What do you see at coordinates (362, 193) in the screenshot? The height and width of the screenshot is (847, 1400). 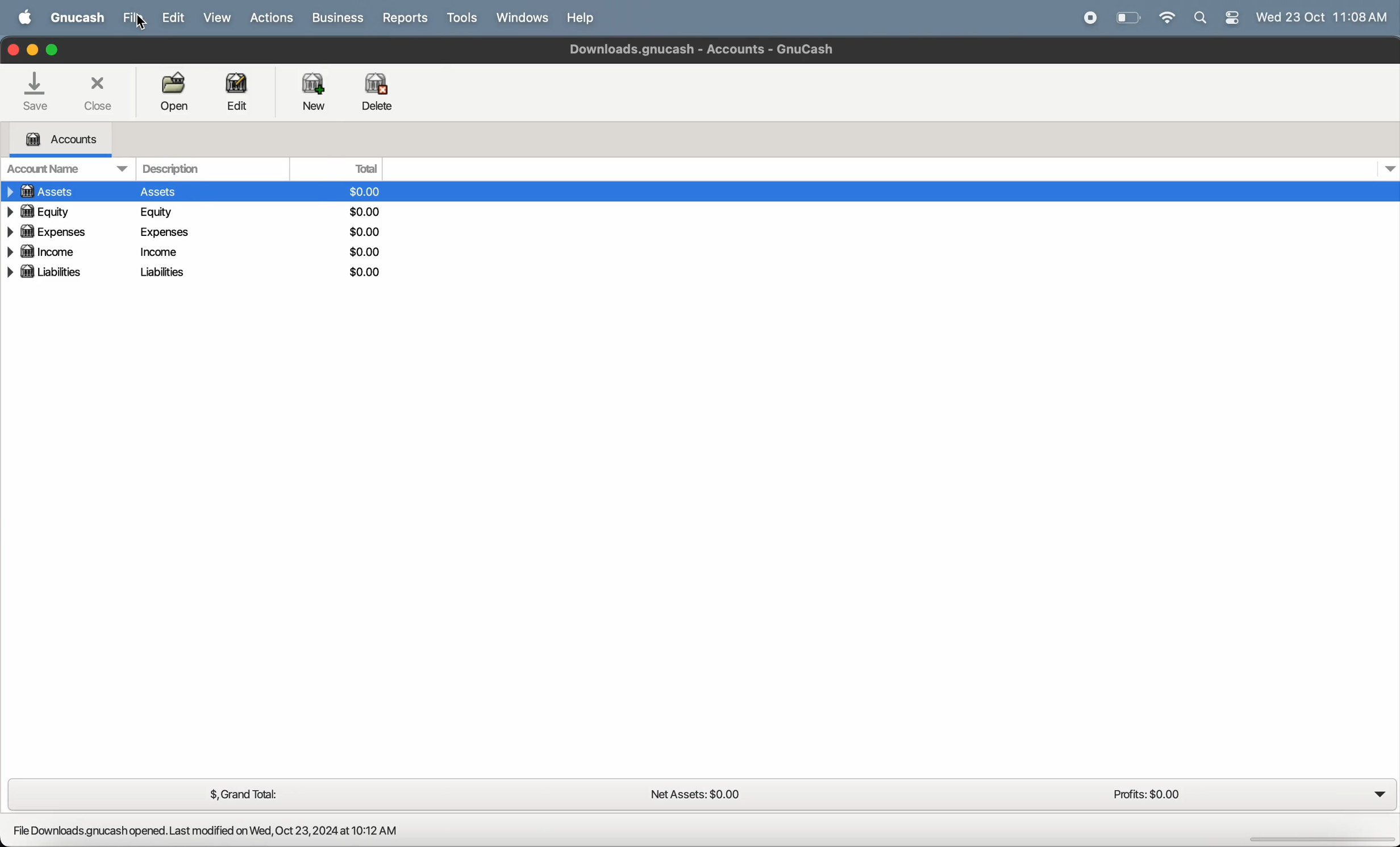 I see `dollars` at bounding box center [362, 193].